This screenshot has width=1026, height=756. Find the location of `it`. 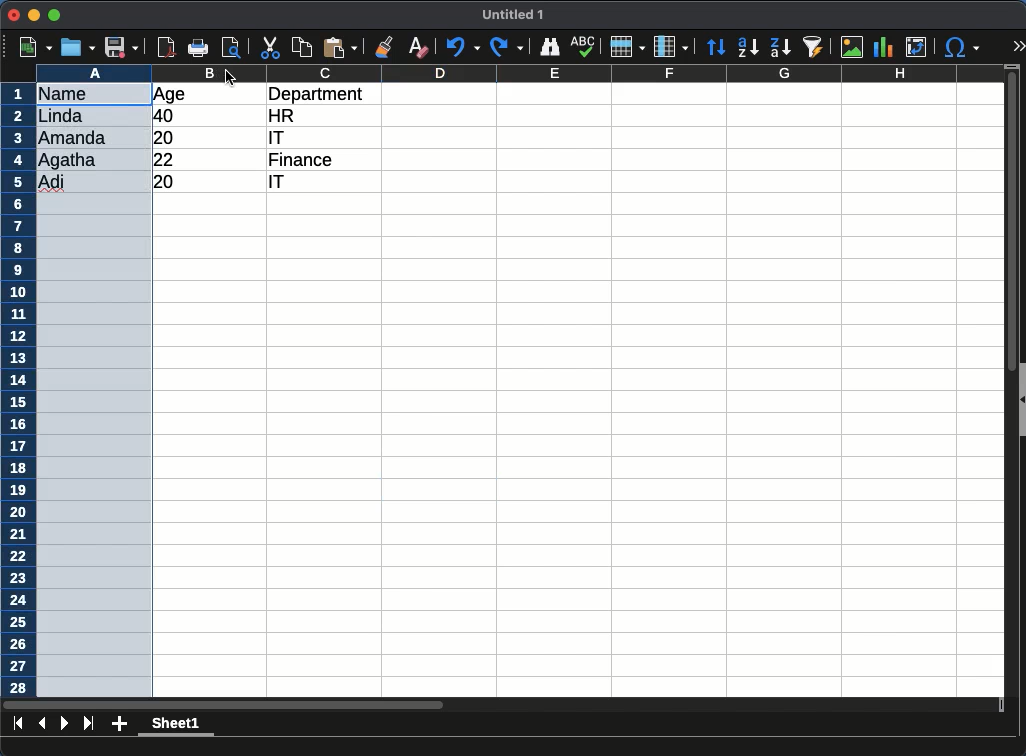

it is located at coordinates (272, 137).